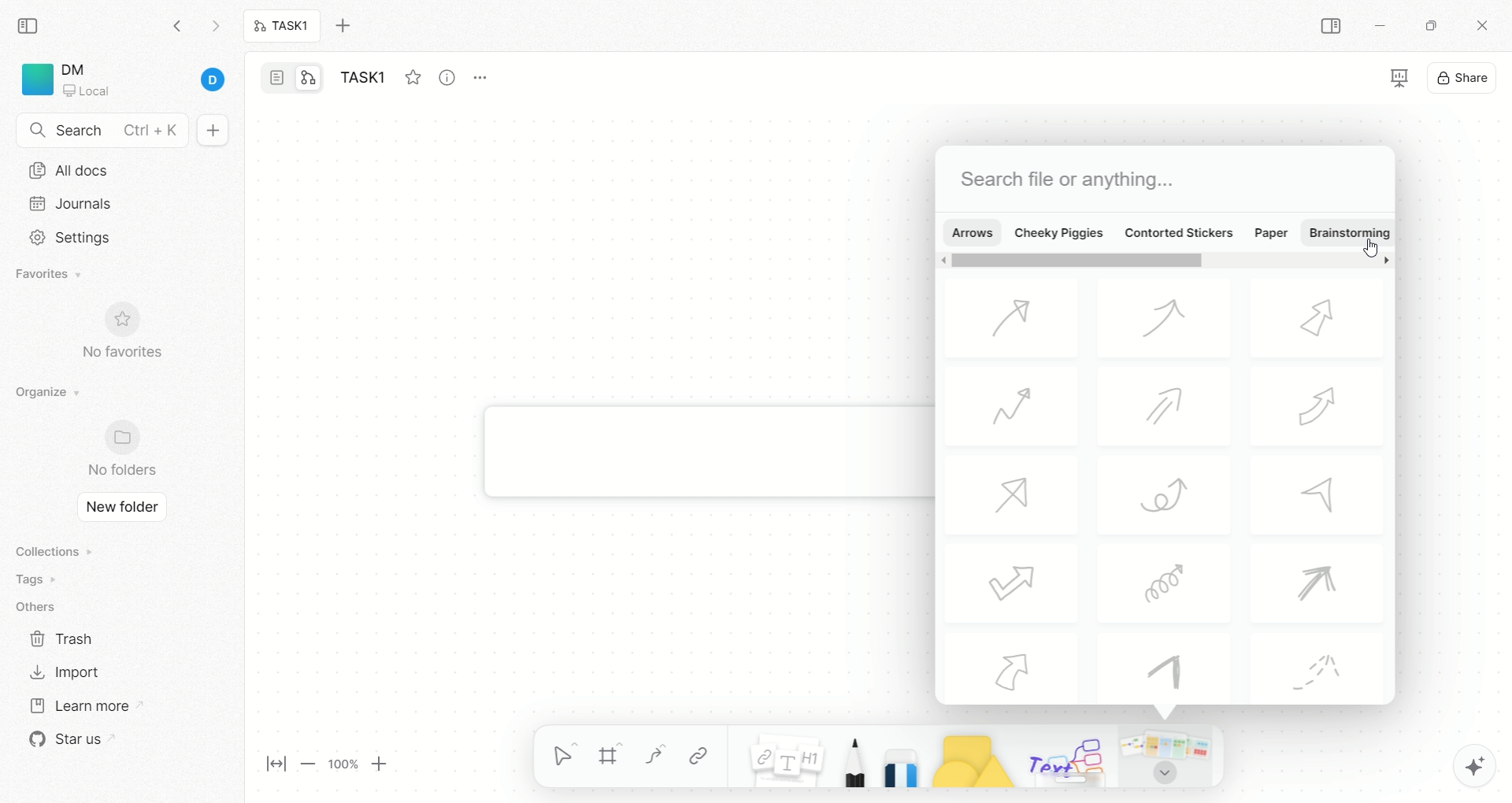  What do you see at coordinates (63, 672) in the screenshot?
I see `import` at bounding box center [63, 672].